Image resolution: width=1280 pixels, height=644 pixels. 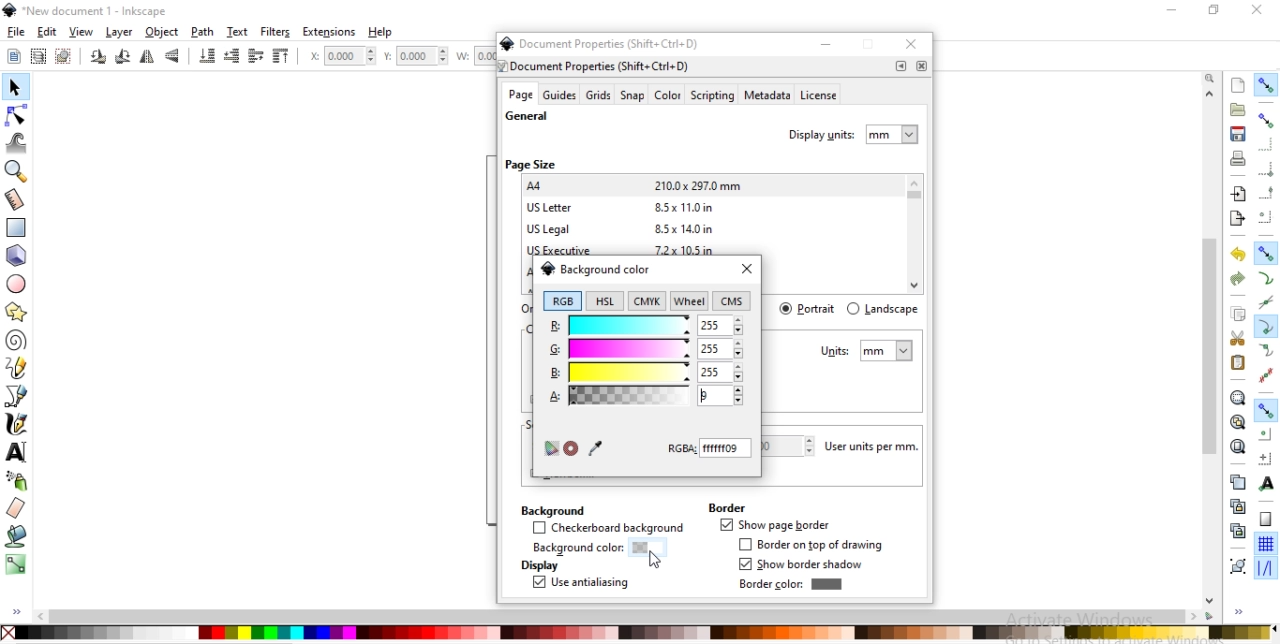 What do you see at coordinates (1266, 520) in the screenshot?
I see `snap to page border` at bounding box center [1266, 520].